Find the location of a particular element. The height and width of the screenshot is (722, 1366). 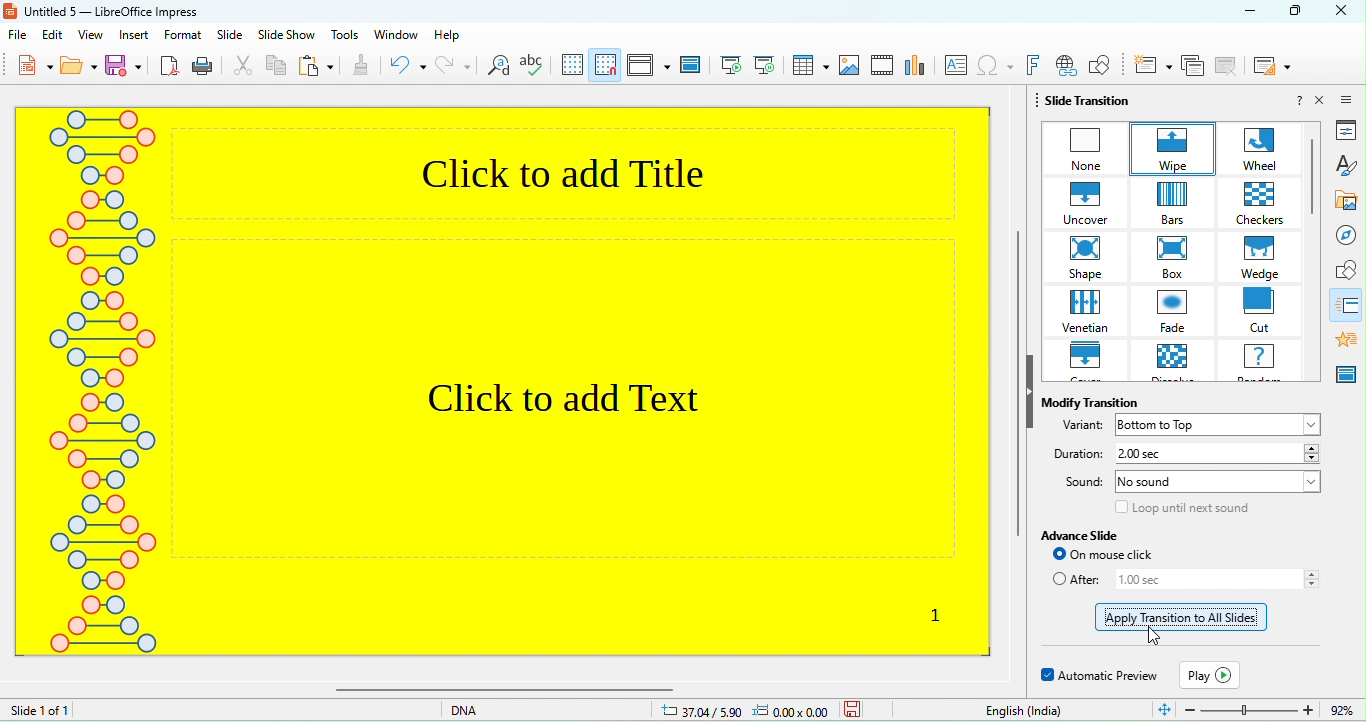

loop until next sound is located at coordinates (1178, 511).